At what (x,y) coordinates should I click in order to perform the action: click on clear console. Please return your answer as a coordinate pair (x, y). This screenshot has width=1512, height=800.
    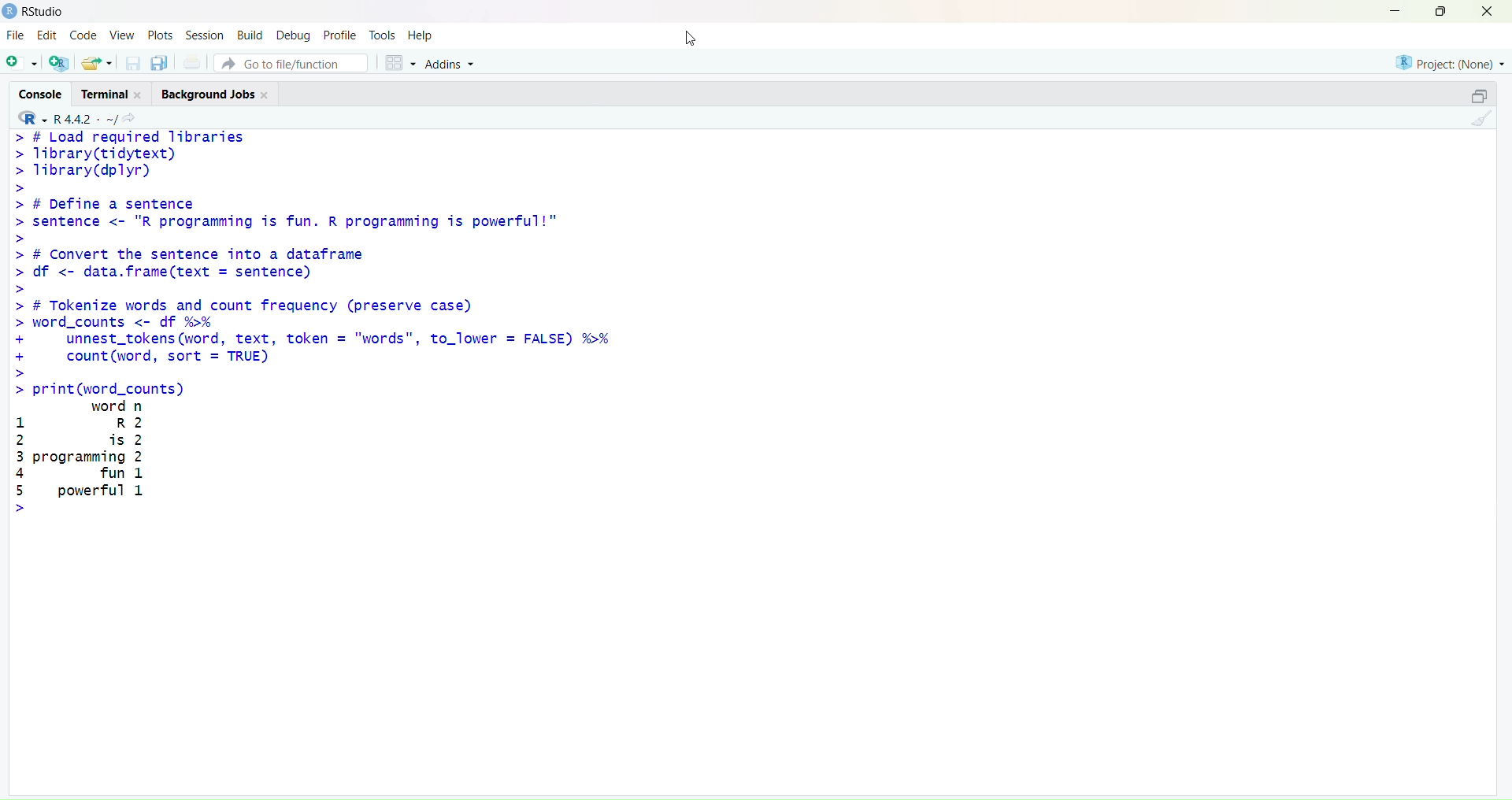
    Looking at the image, I should click on (1481, 120).